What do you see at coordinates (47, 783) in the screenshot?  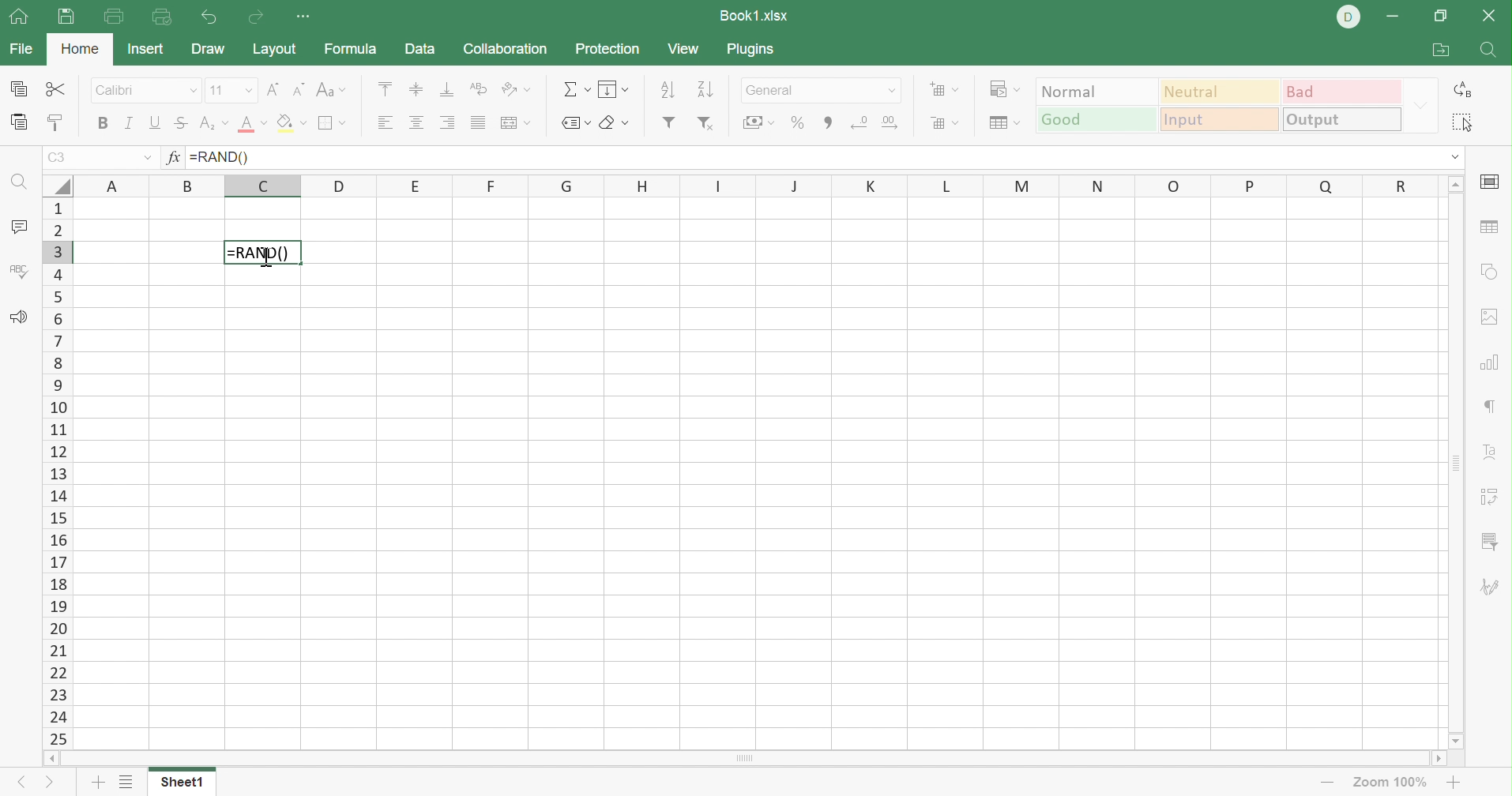 I see `Next` at bounding box center [47, 783].